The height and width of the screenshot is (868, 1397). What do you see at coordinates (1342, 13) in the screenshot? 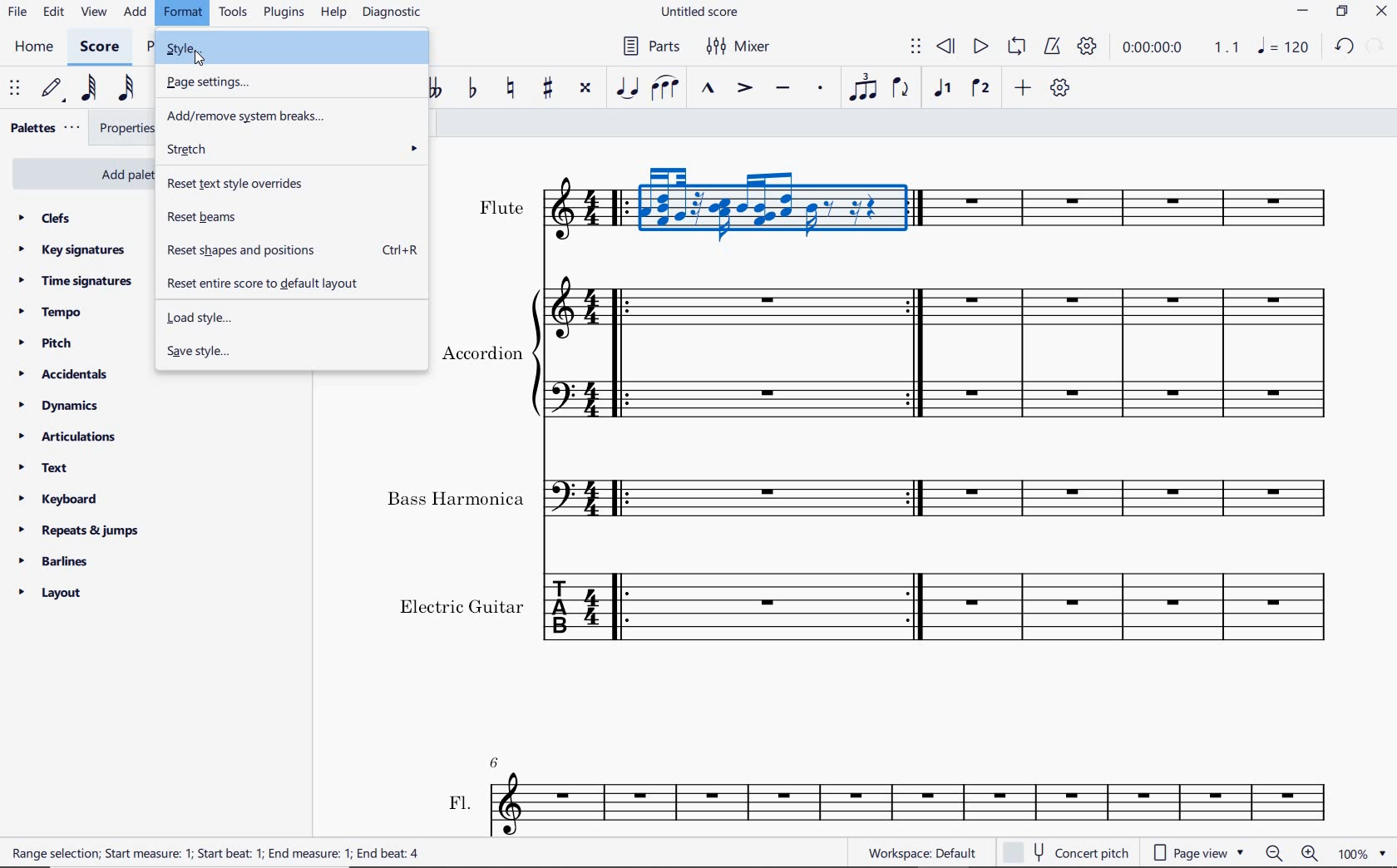
I see `RESTORE DOWN` at bounding box center [1342, 13].